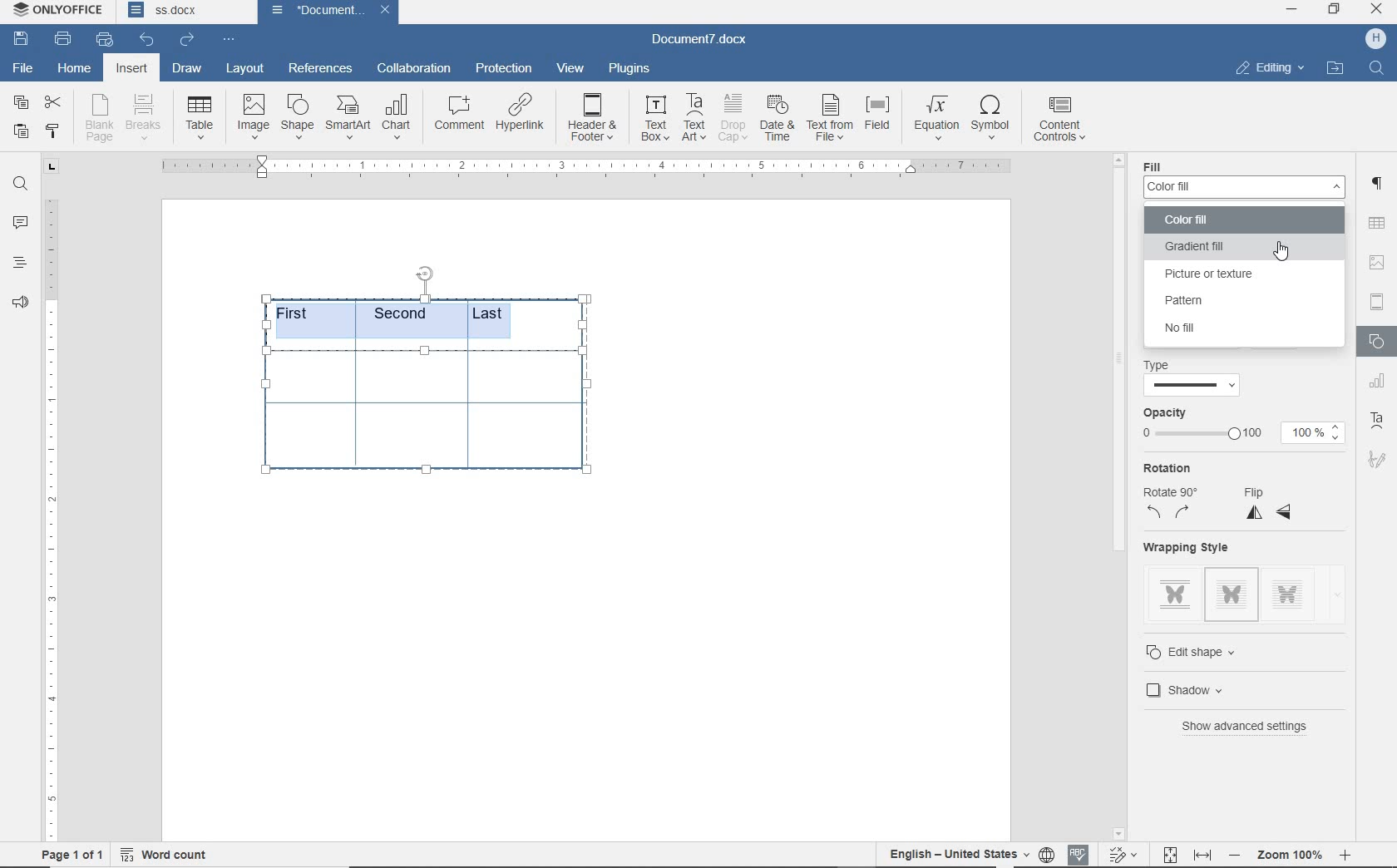 This screenshot has height=868, width=1397. What do you see at coordinates (348, 119) in the screenshot?
I see `smart art` at bounding box center [348, 119].